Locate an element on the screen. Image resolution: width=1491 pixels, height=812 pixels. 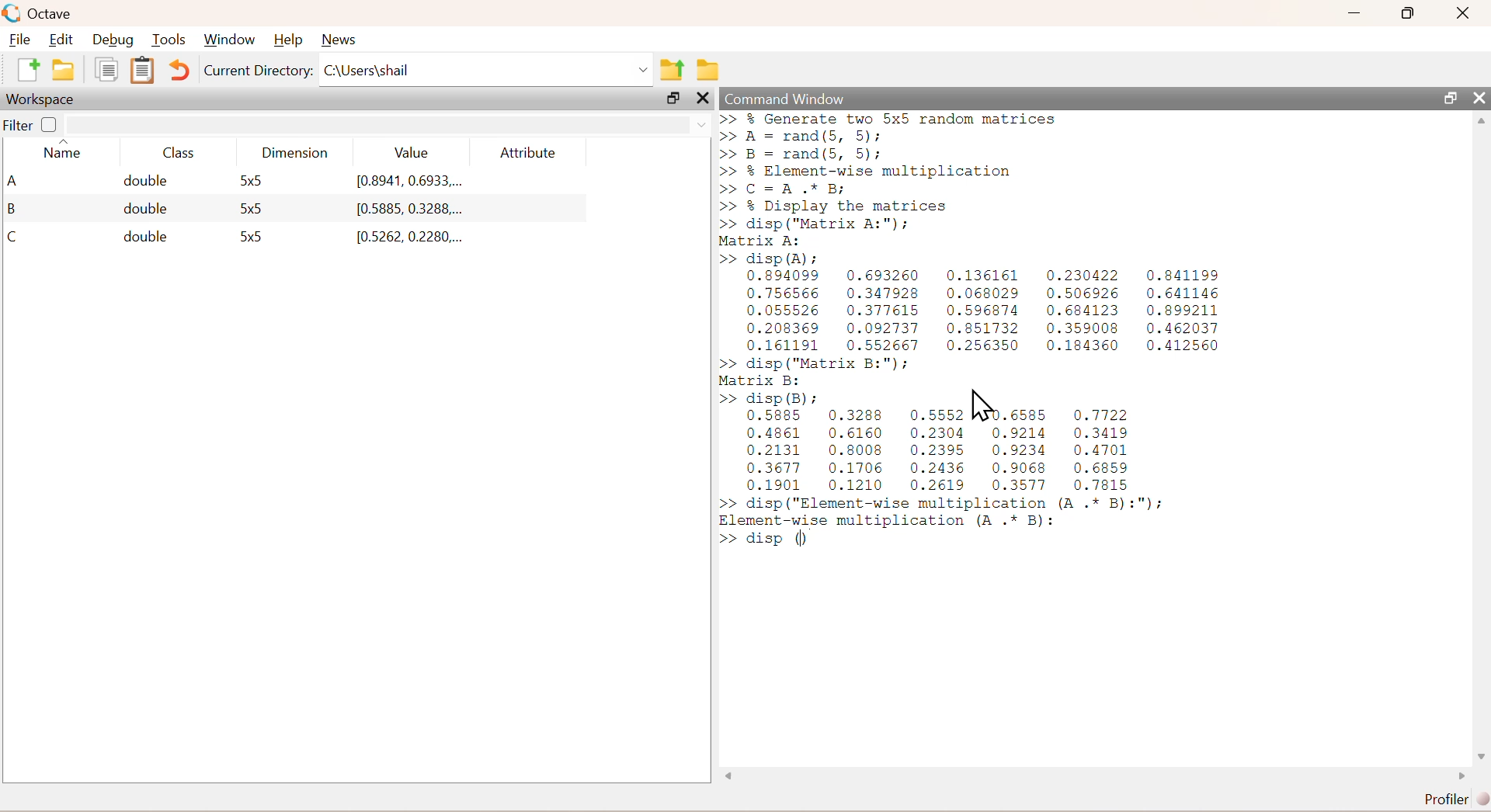
Current Directory: is located at coordinates (257, 75).